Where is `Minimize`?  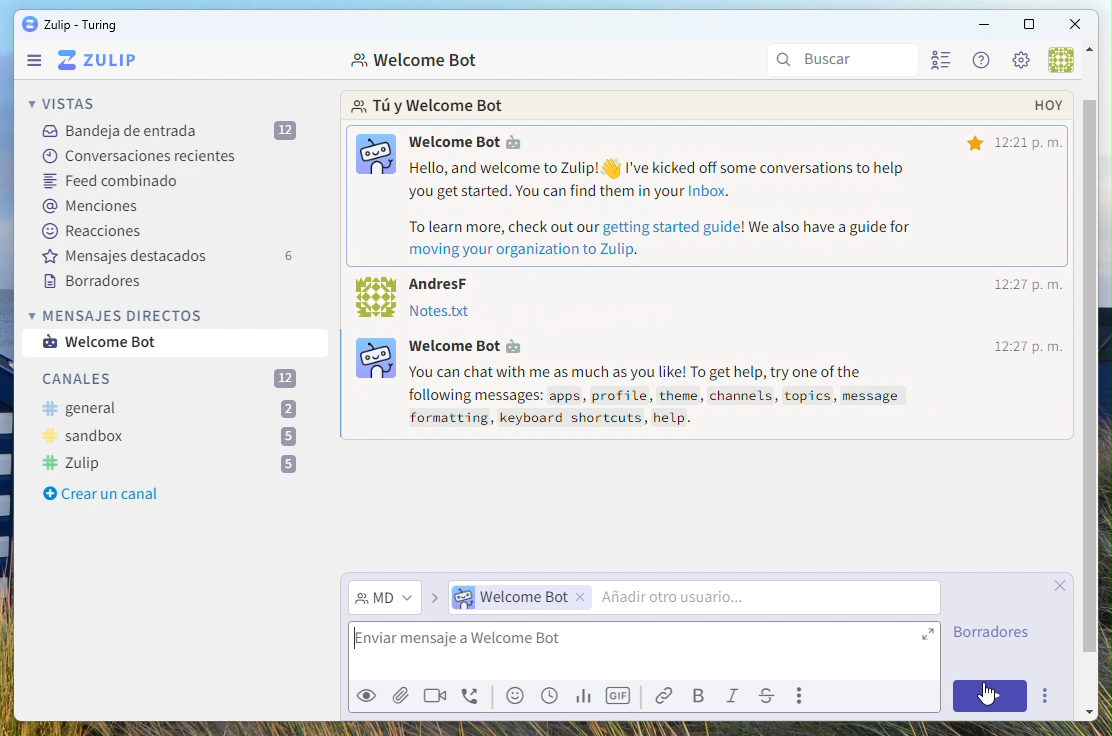
Minimize is located at coordinates (983, 24).